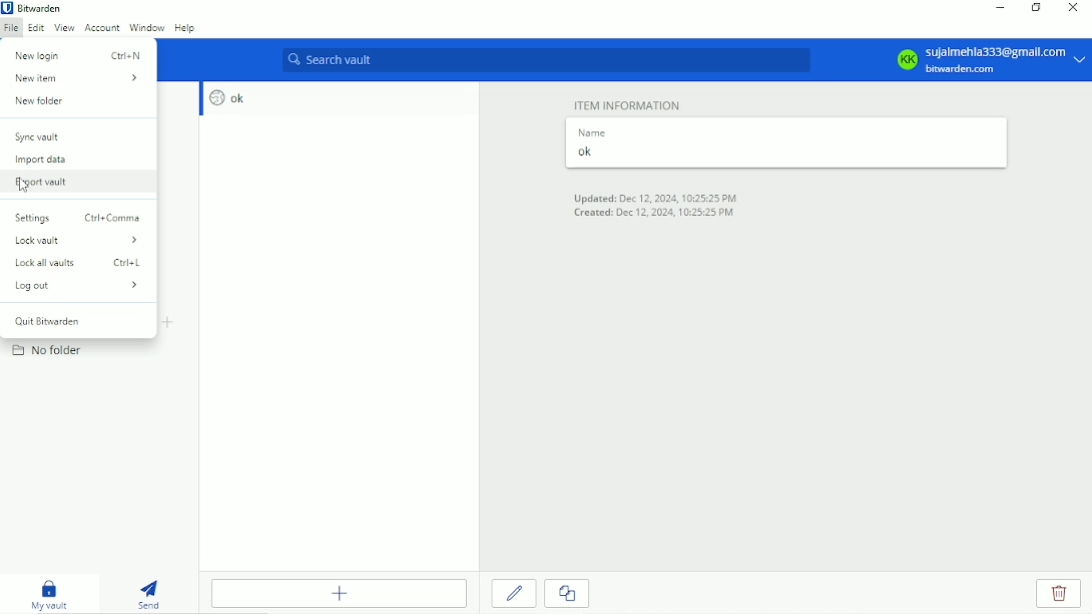 This screenshot has height=614, width=1092. What do you see at coordinates (997, 8) in the screenshot?
I see `Minimize` at bounding box center [997, 8].